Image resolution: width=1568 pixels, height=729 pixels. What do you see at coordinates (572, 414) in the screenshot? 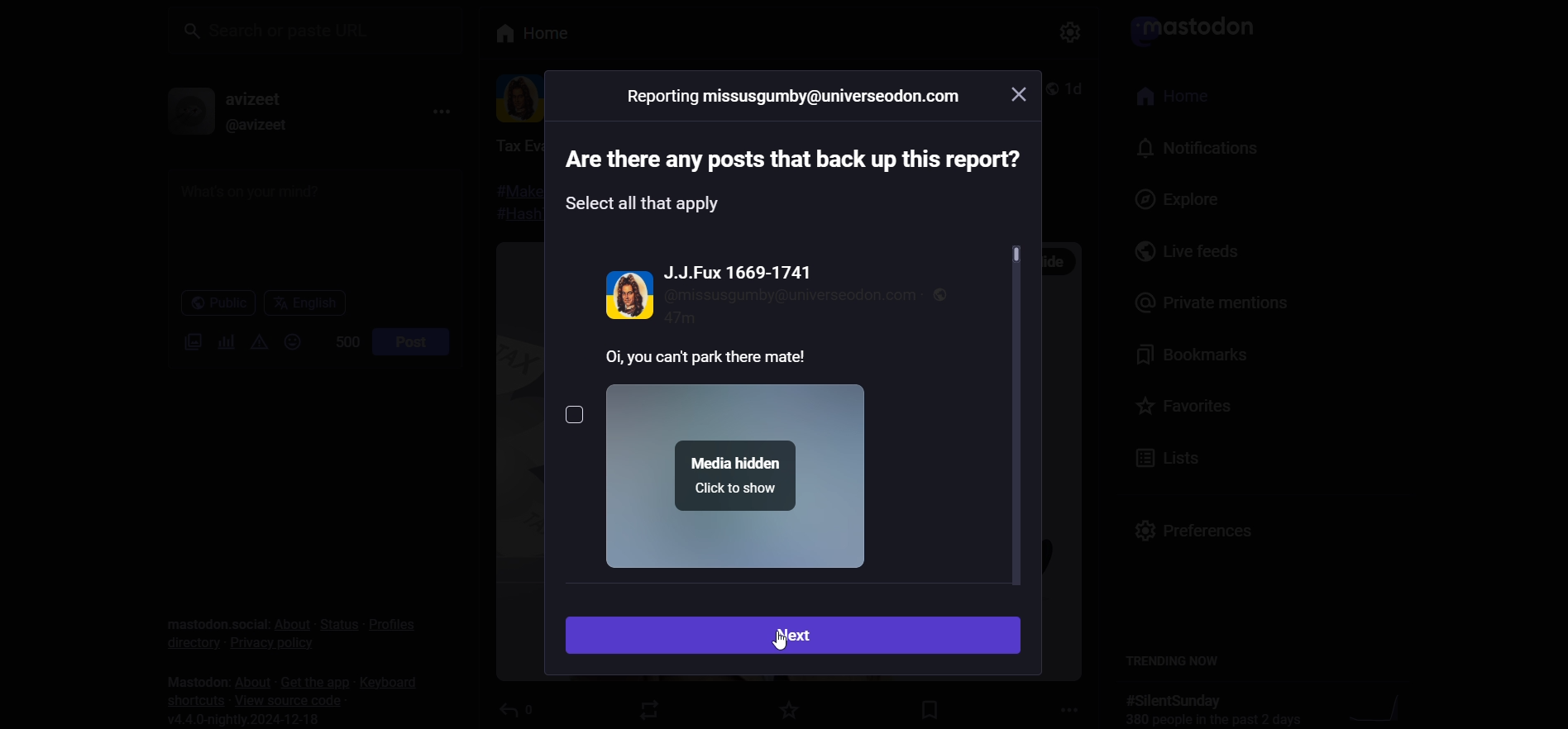
I see `select post` at bounding box center [572, 414].